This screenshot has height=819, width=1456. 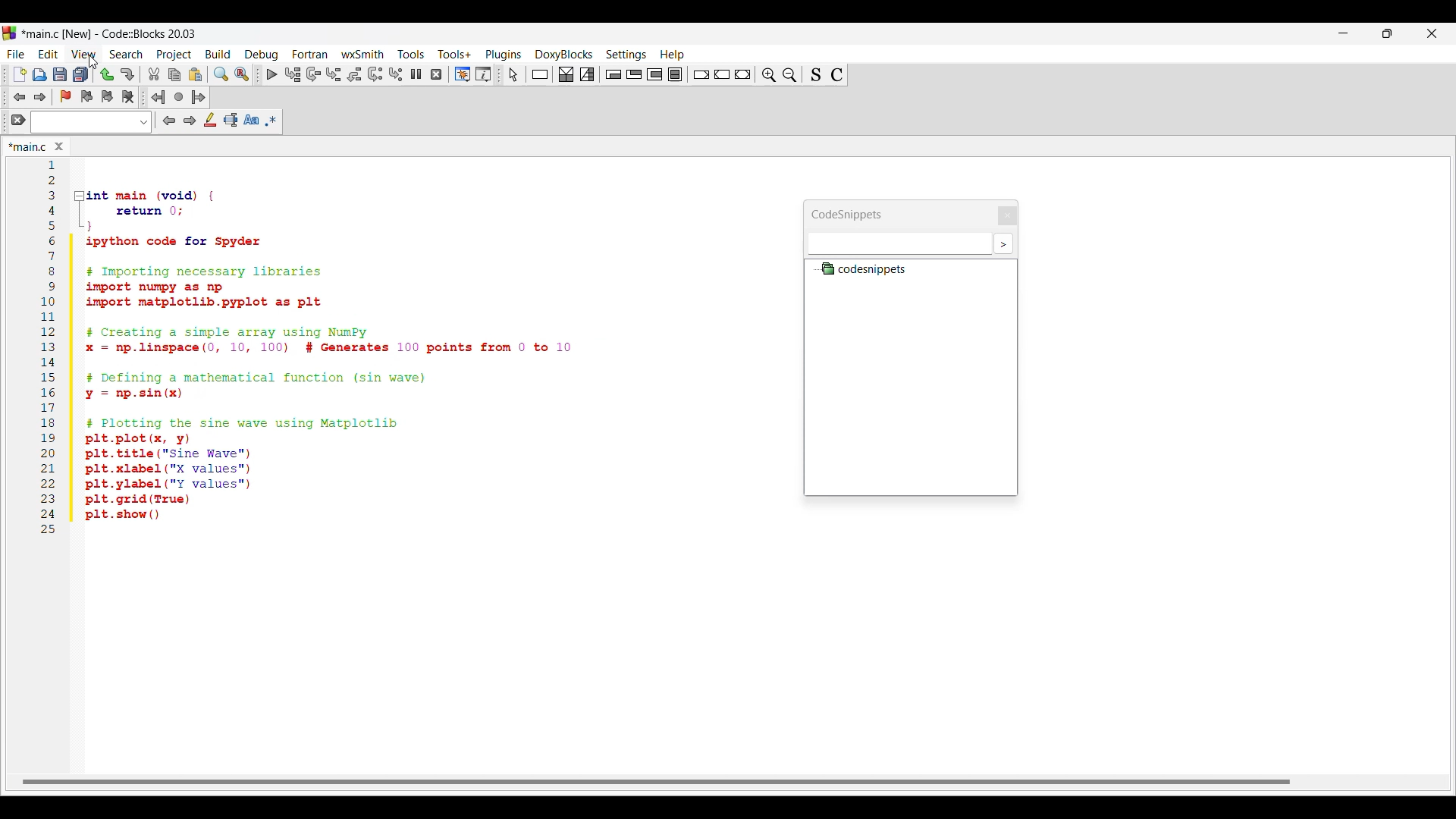 I want to click on Step into, so click(x=334, y=74).